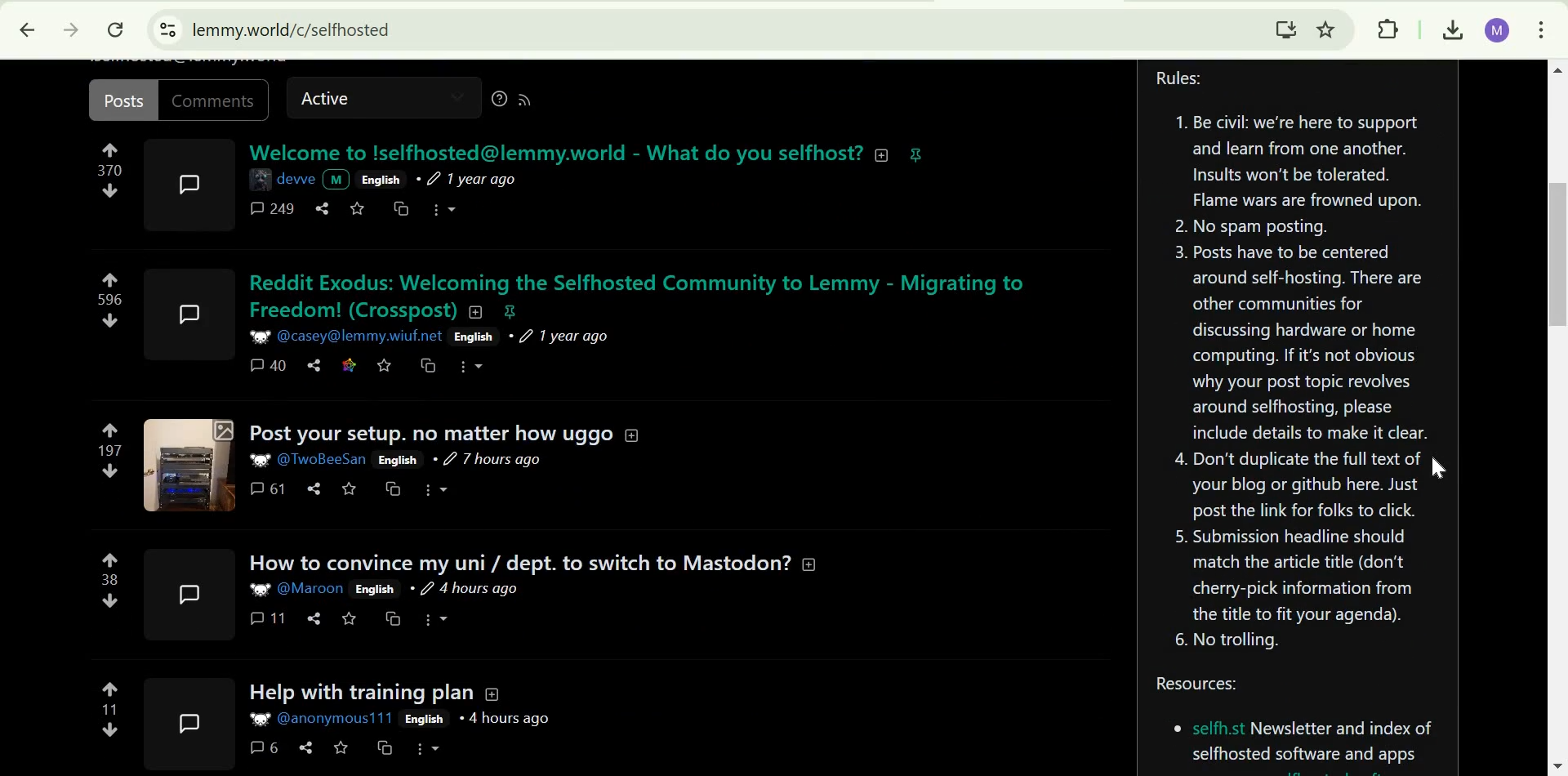 This screenshot has width=1568, height=776. Describe the element at coordinates (553, 152) in the screenshot. I see `welcome text` at that location.